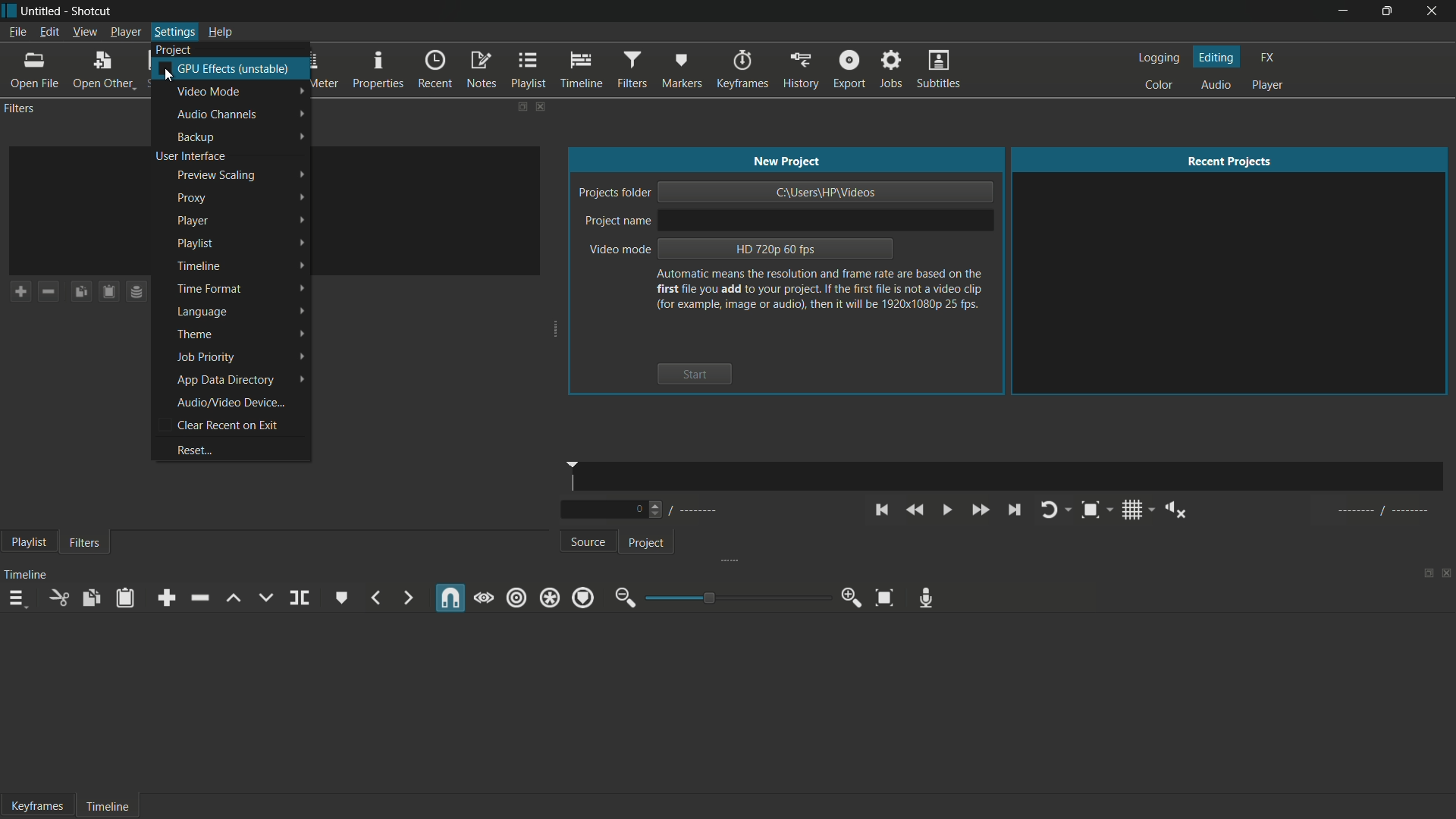  Describe the element at coordinates (172, 33) in the screenshot. I see `settings menu` at that location.